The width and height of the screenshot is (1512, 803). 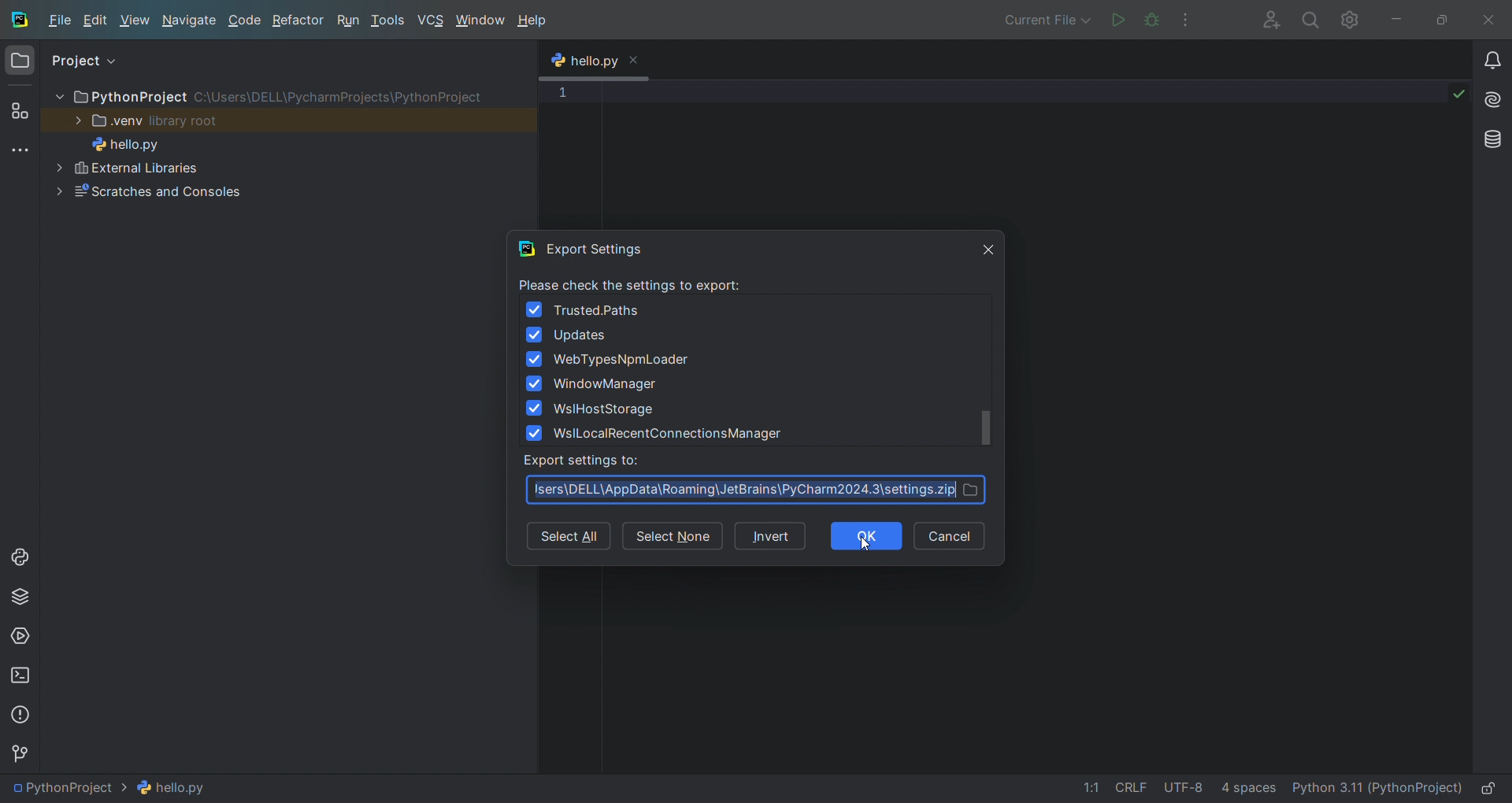 What do you see at coordinates (580, 337) in the screenshot?
I see `Updates` at bounding box center [580, 337].